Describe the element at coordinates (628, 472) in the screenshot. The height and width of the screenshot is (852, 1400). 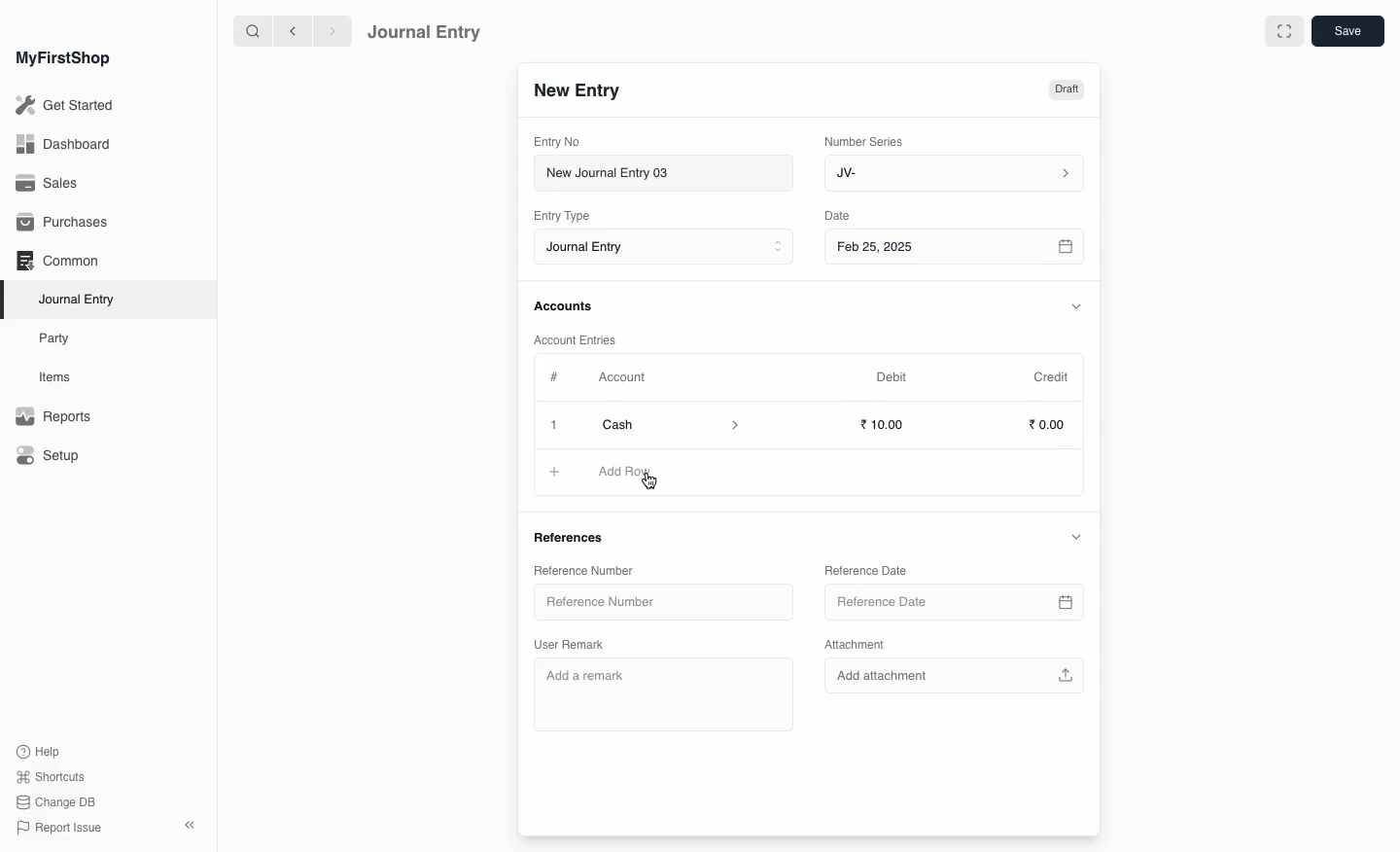
I see `Add Row` at that location.